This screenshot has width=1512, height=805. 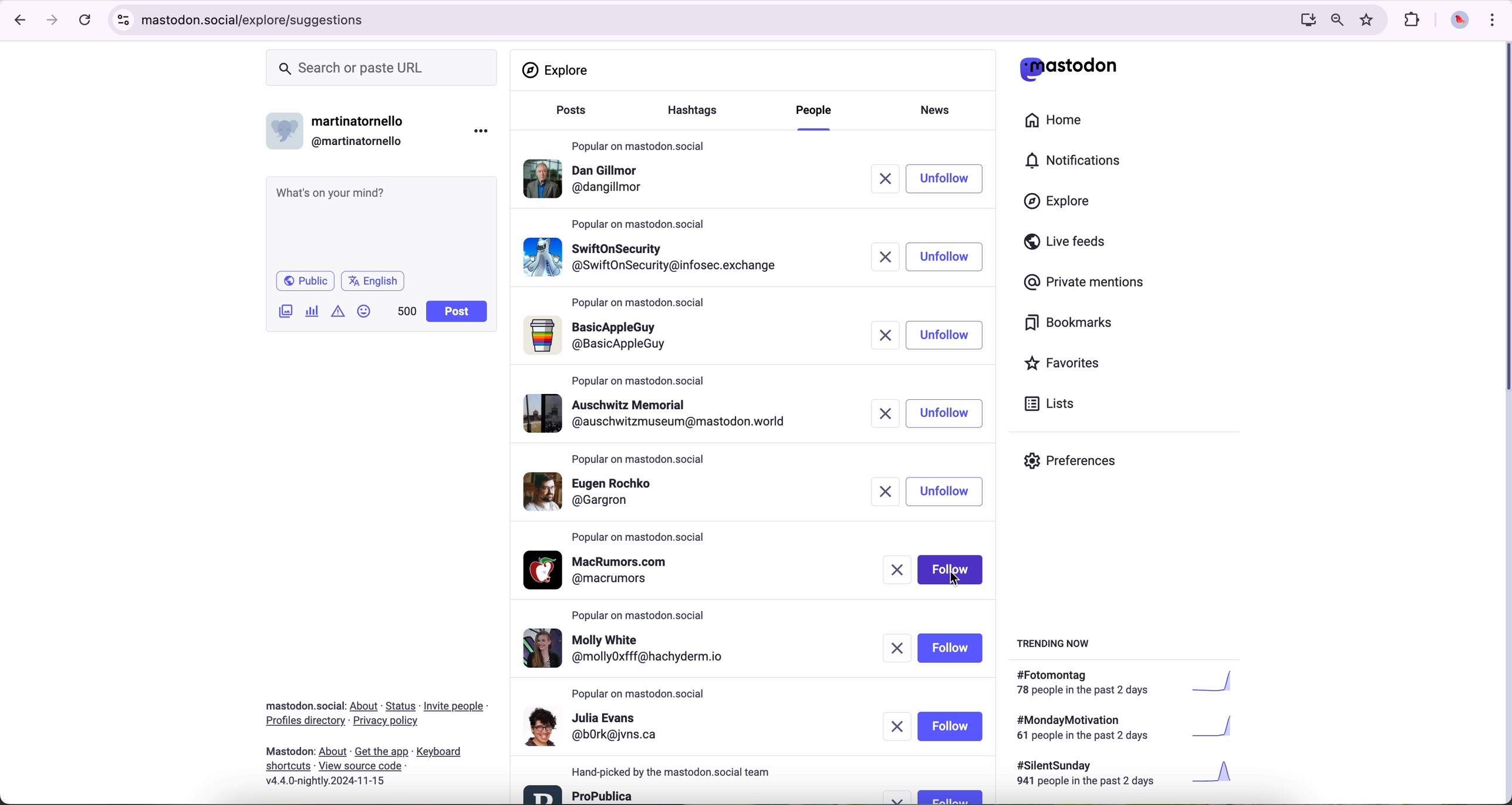 What do you see at coordinates (699, 112) in the screenshot?
I see `hasgtags` at bounding box center [699, 112].